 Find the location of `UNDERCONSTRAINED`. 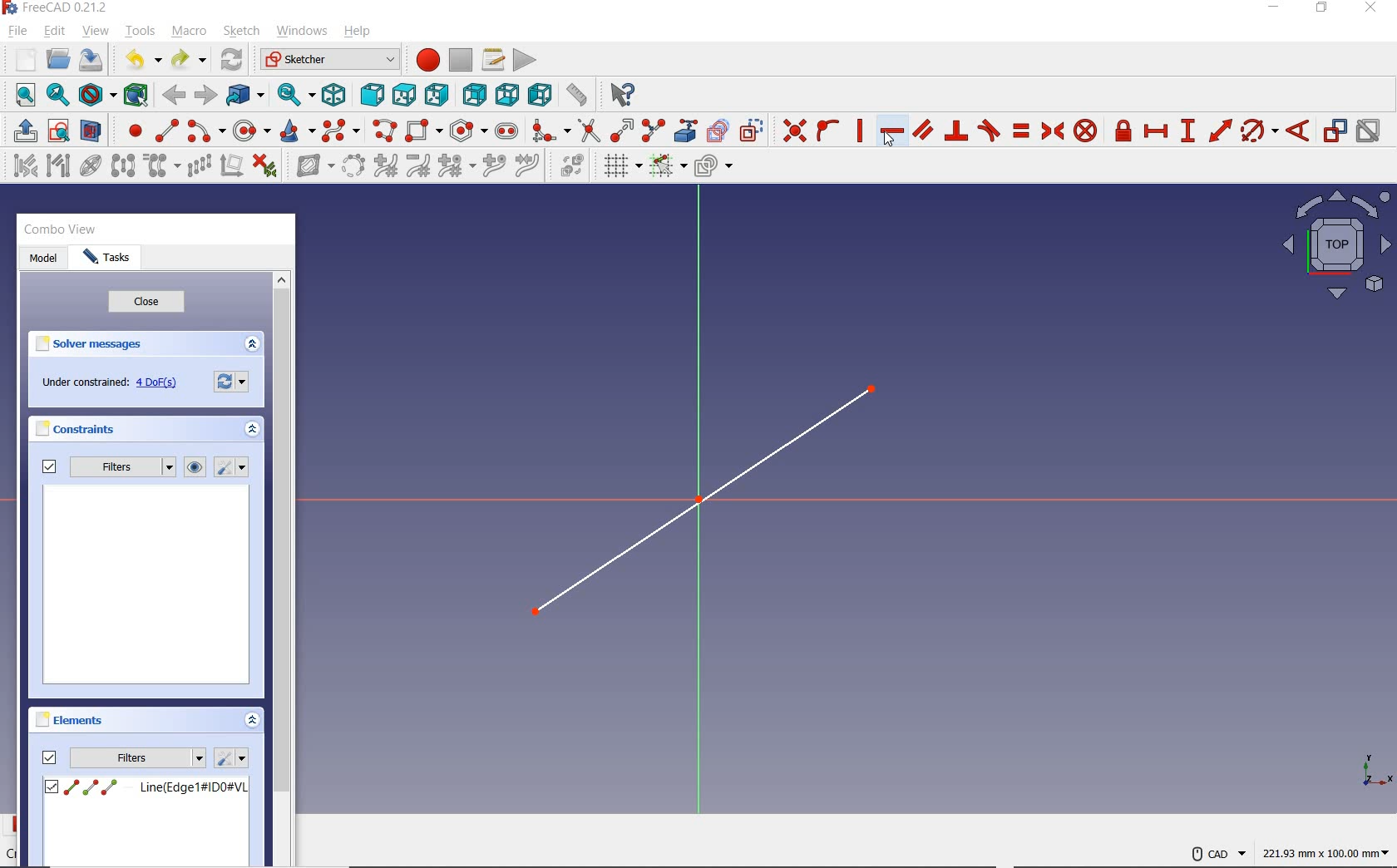

UNDERCONSTRAINED is located at coordinates (107, 384).